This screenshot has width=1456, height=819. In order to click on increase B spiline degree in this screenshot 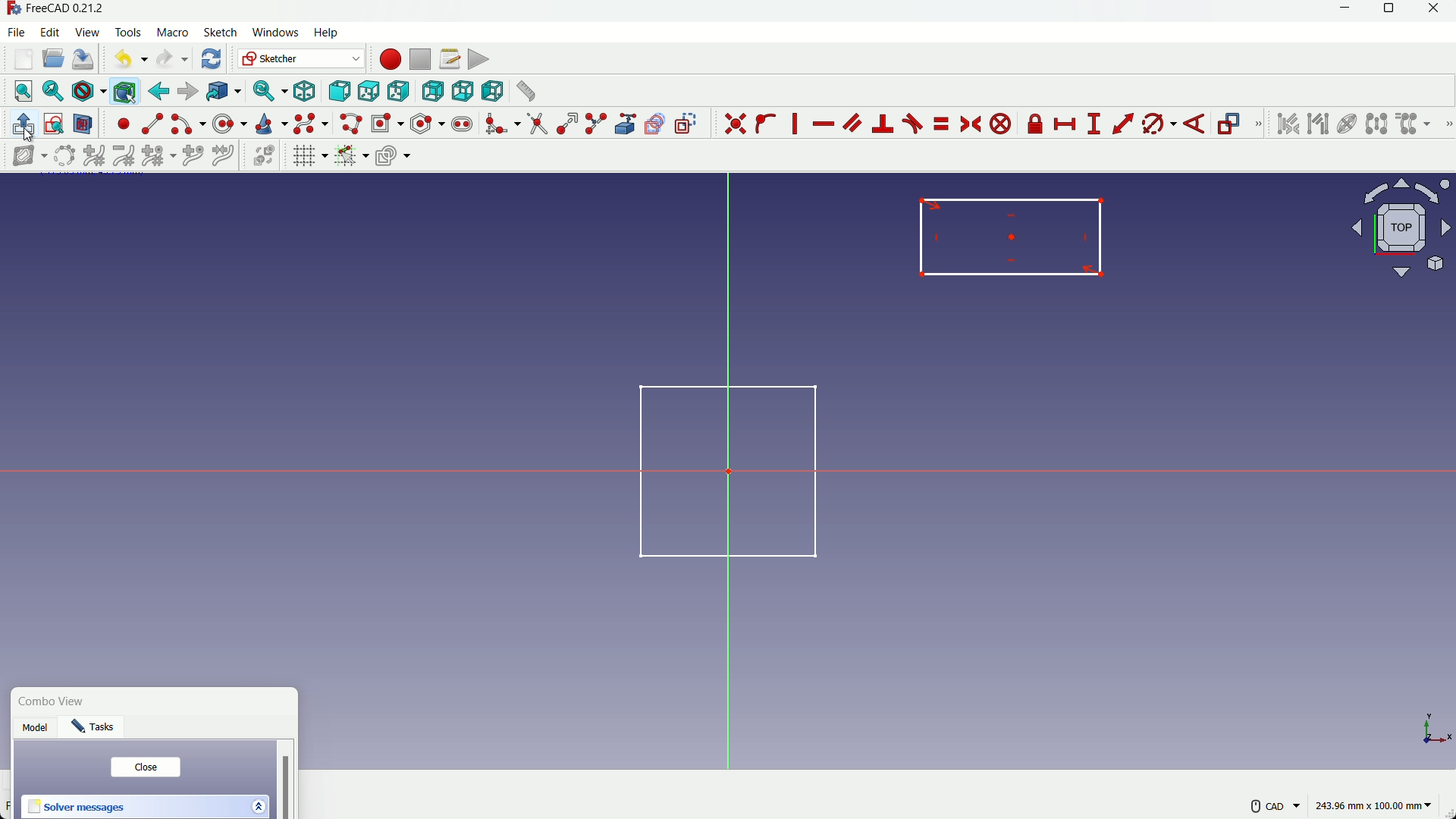, I will do `click(96, 156)`.